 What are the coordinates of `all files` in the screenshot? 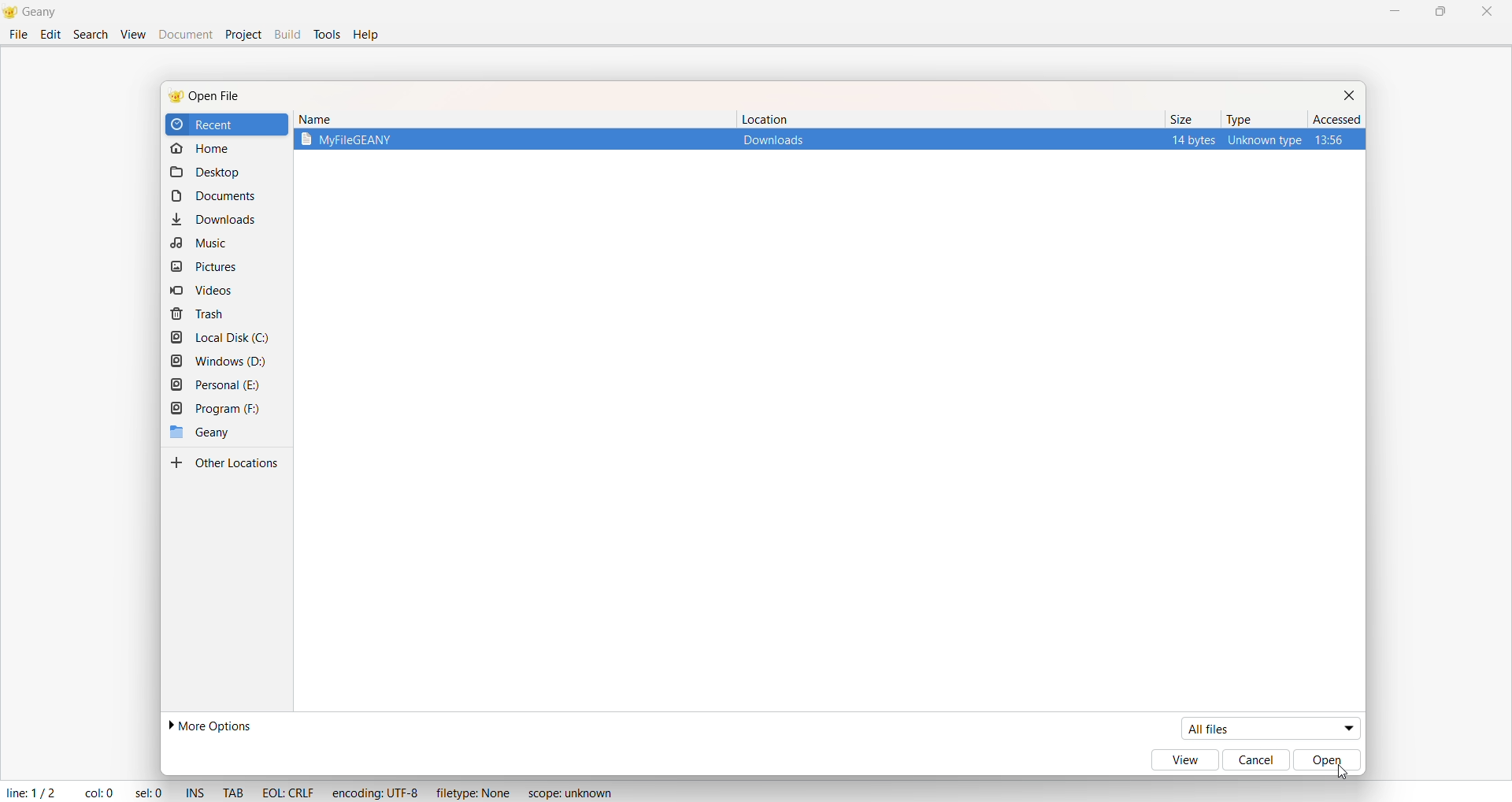 It's located at (1253, 727).